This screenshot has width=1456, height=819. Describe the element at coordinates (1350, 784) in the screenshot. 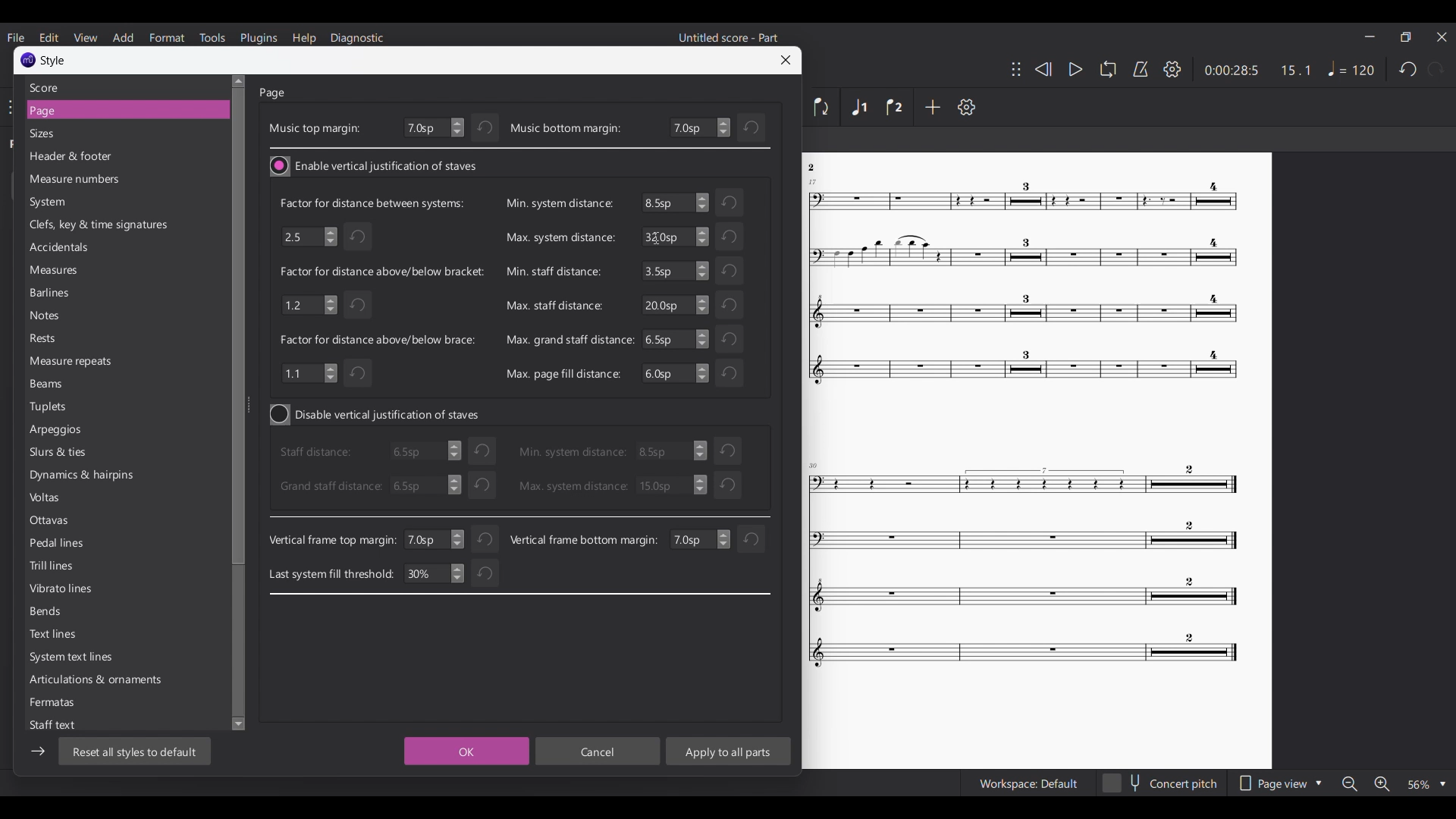

I see `Zoom out` at that location.